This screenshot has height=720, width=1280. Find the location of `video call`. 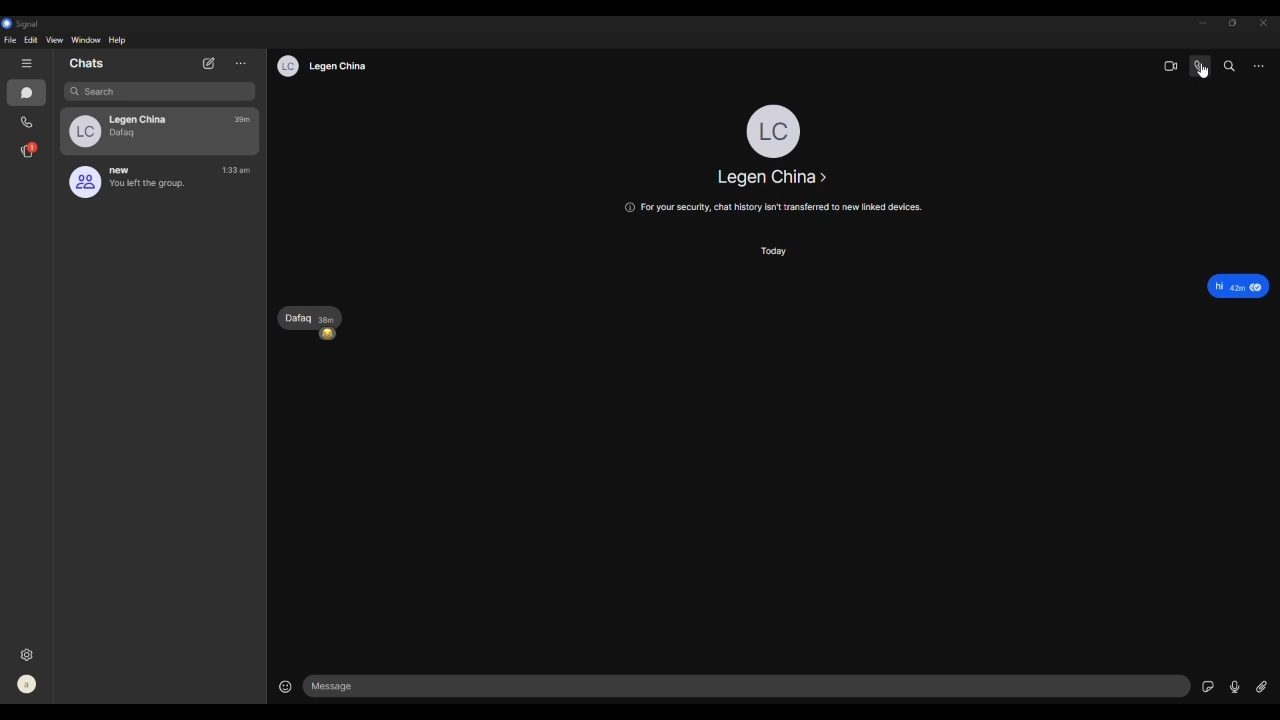

video call is located at coordinates (1164, 66).